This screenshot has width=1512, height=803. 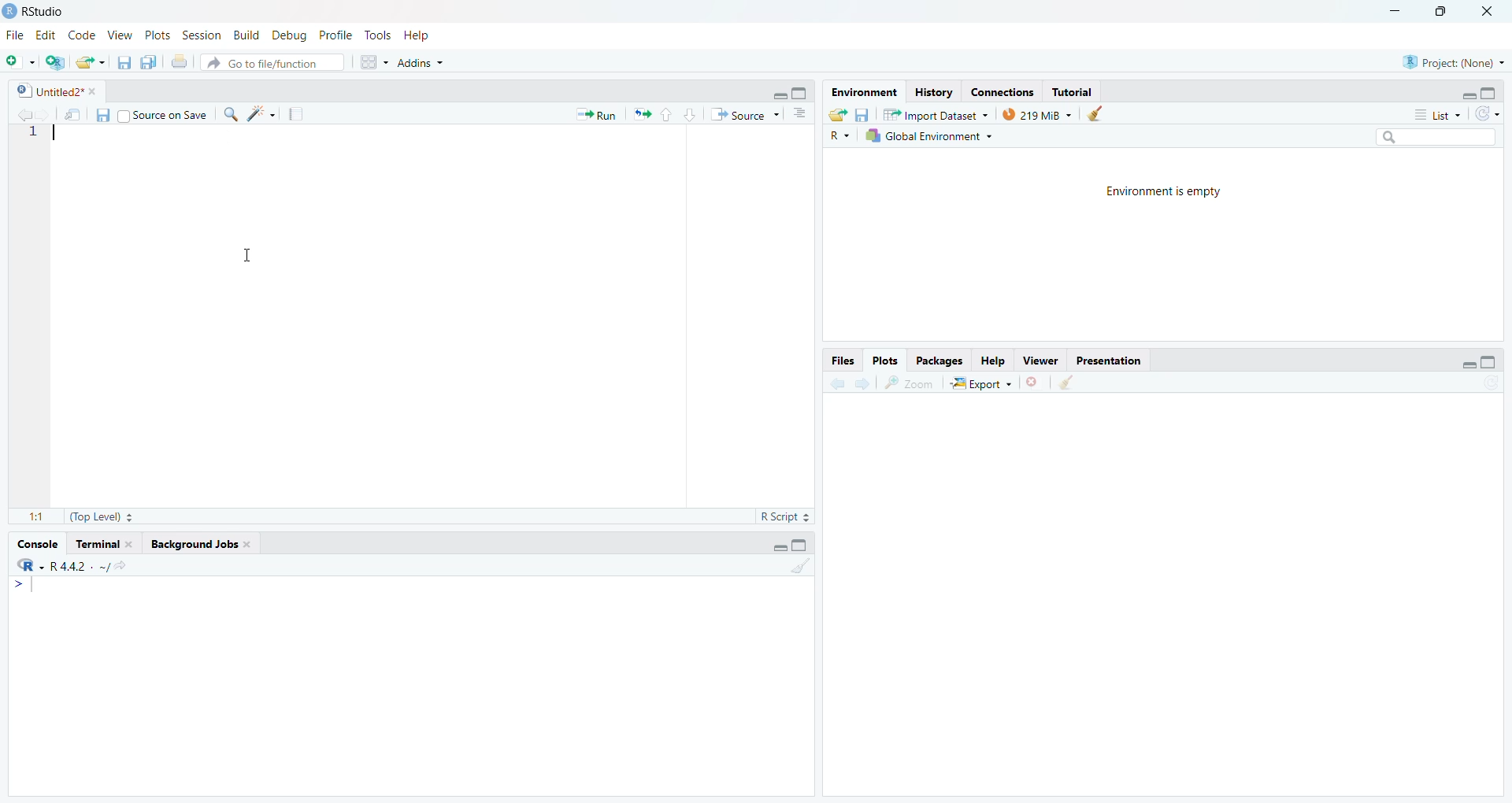 I want to click on Re run the previous code, so click(x=641, y=113).